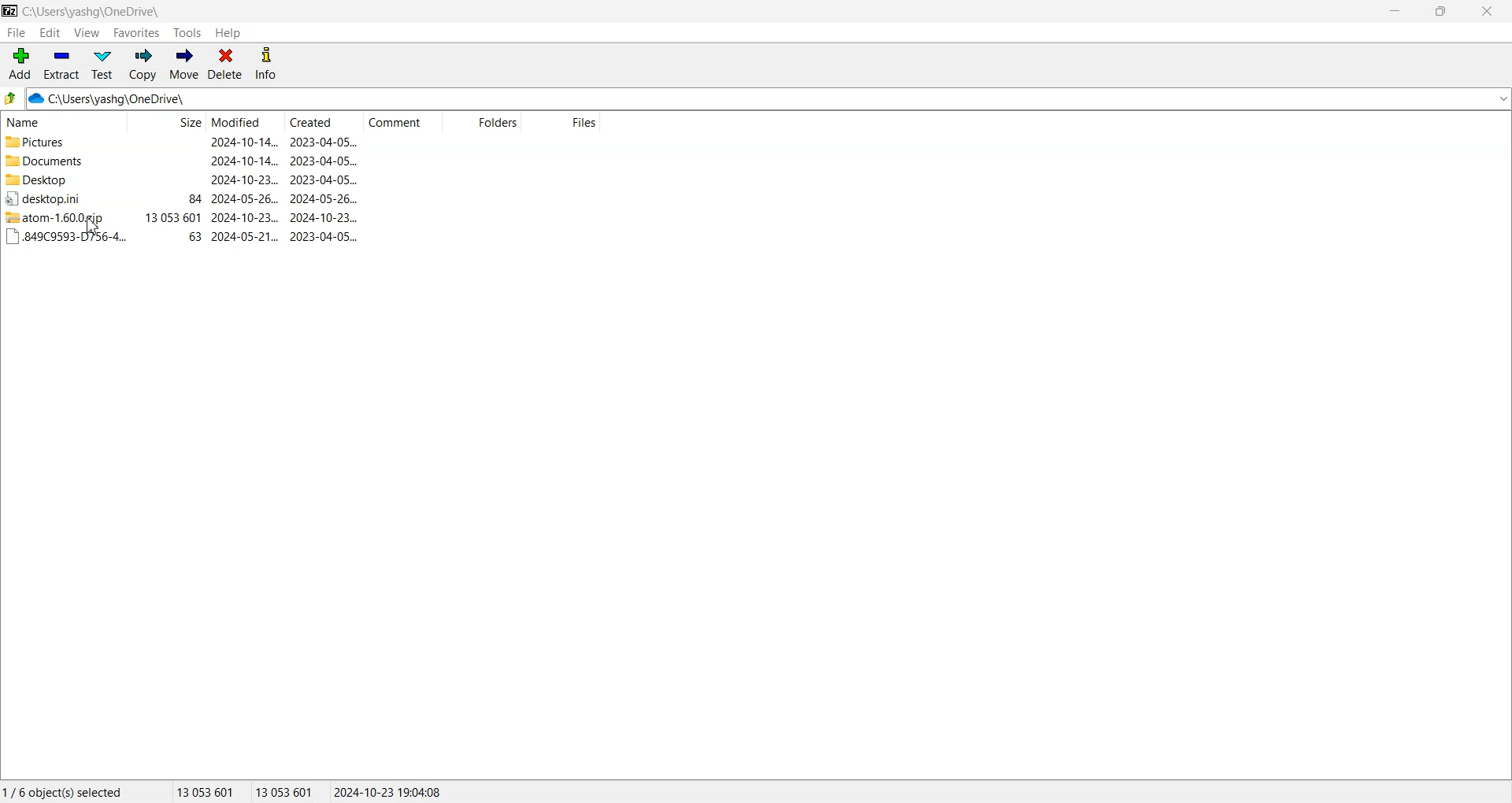 This screenshot has height=803, width=1512. What do you see at coordinates (166, 123) in the screenshot?
I see `Size` at bounding box center [166, 123].